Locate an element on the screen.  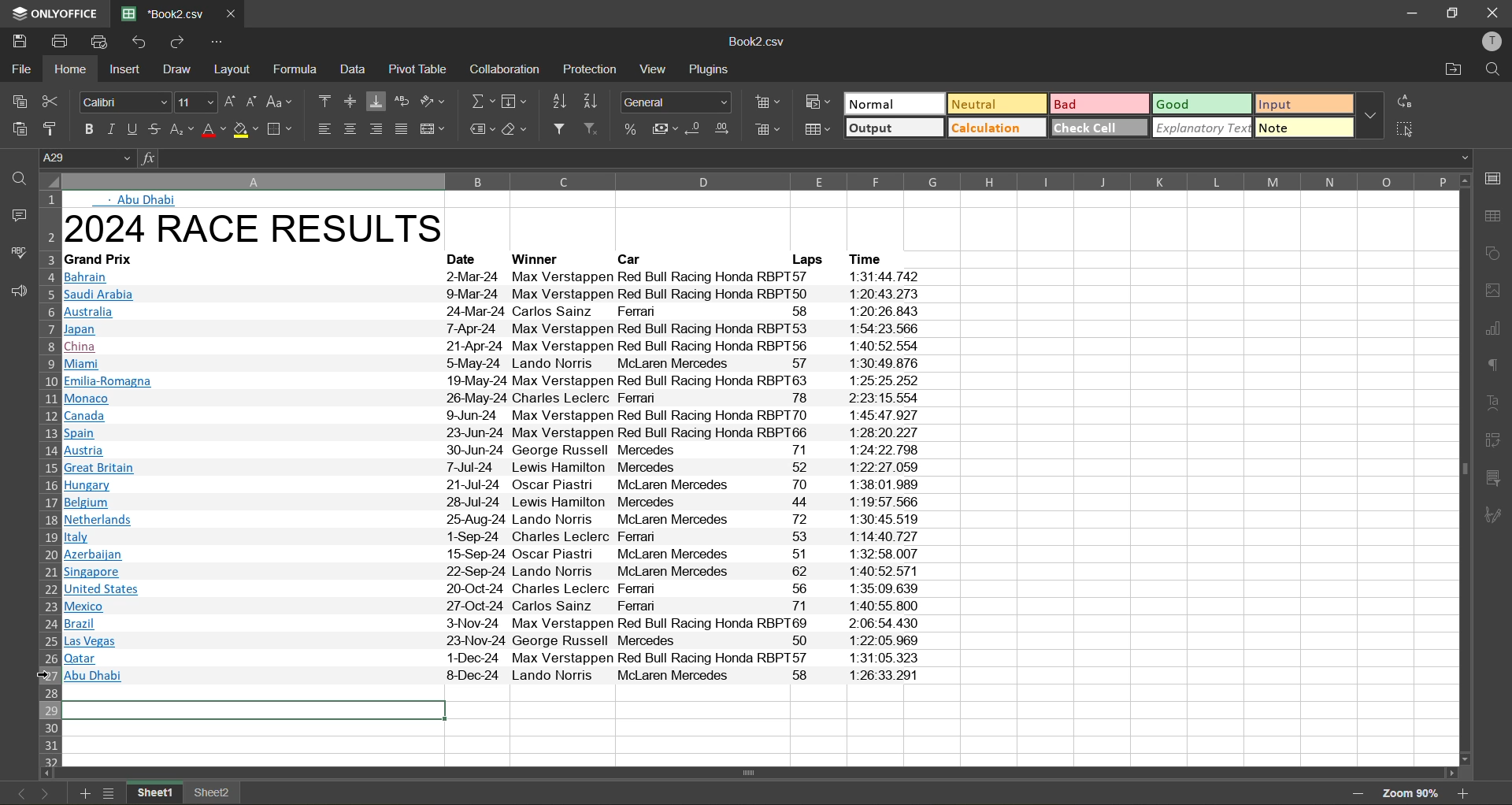
clear is located at coordinates (516, 129).